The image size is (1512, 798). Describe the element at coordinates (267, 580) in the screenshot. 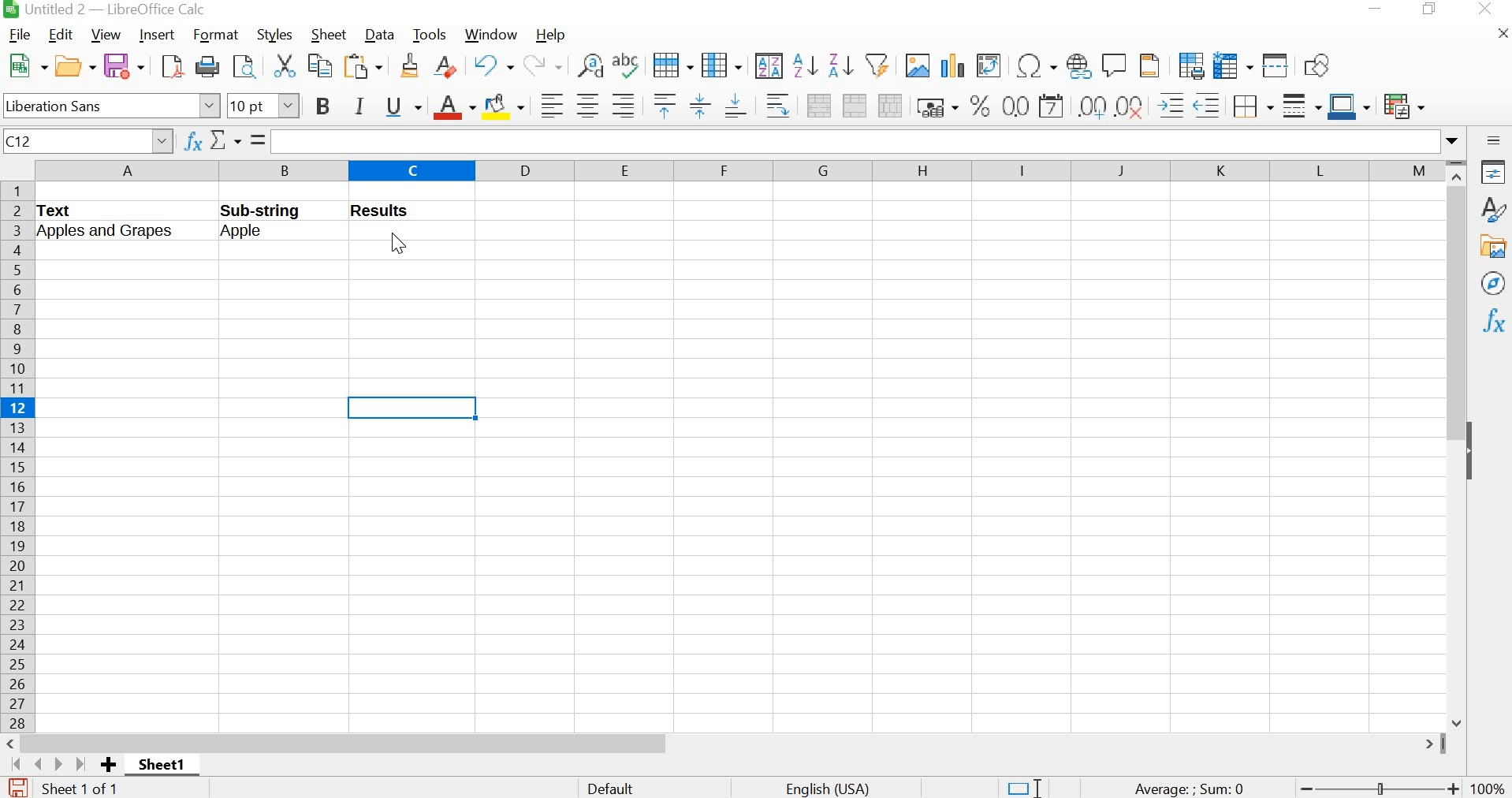

I see `cells` at that location.